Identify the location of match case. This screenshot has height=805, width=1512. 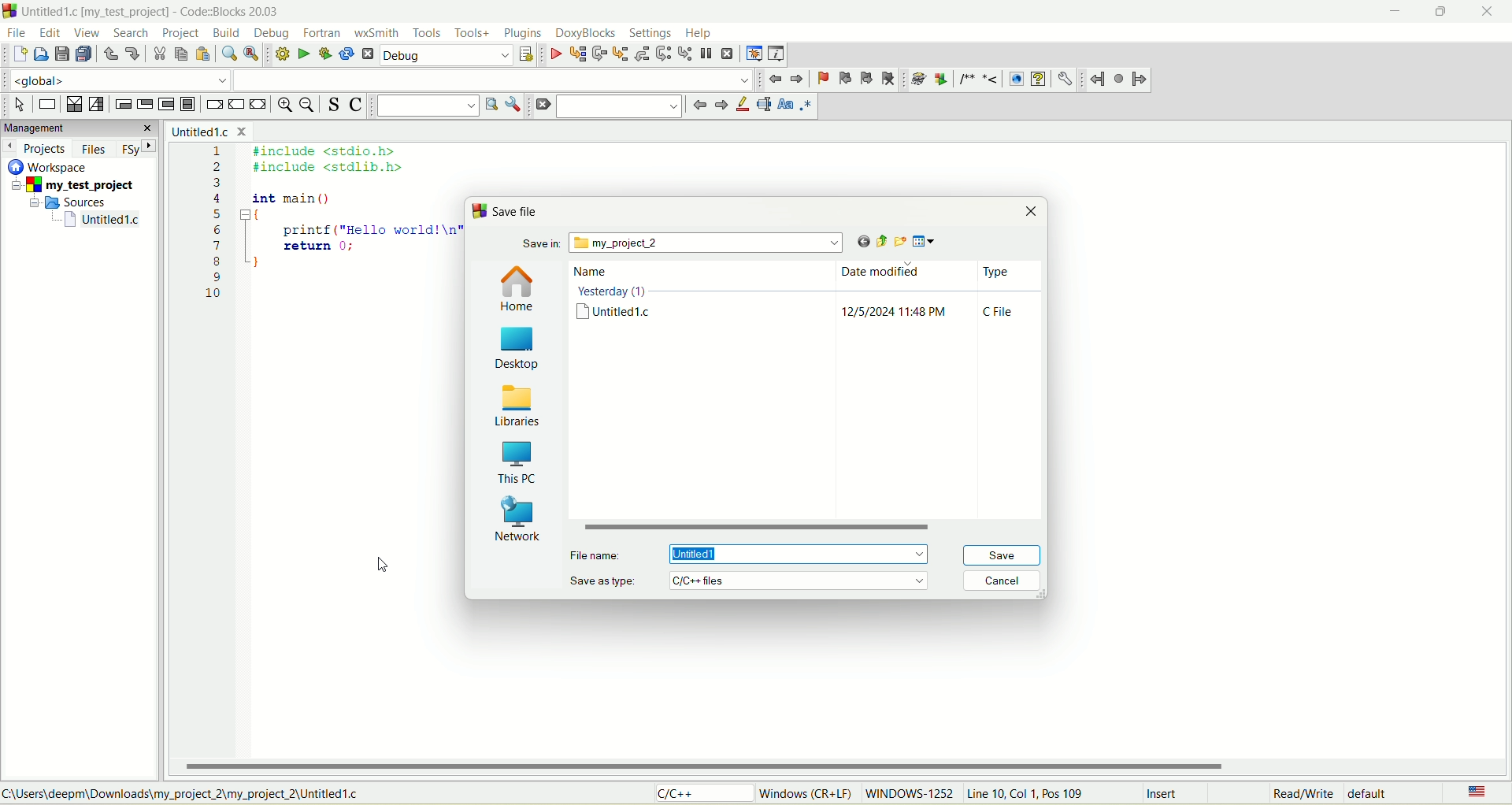
(787, 104).